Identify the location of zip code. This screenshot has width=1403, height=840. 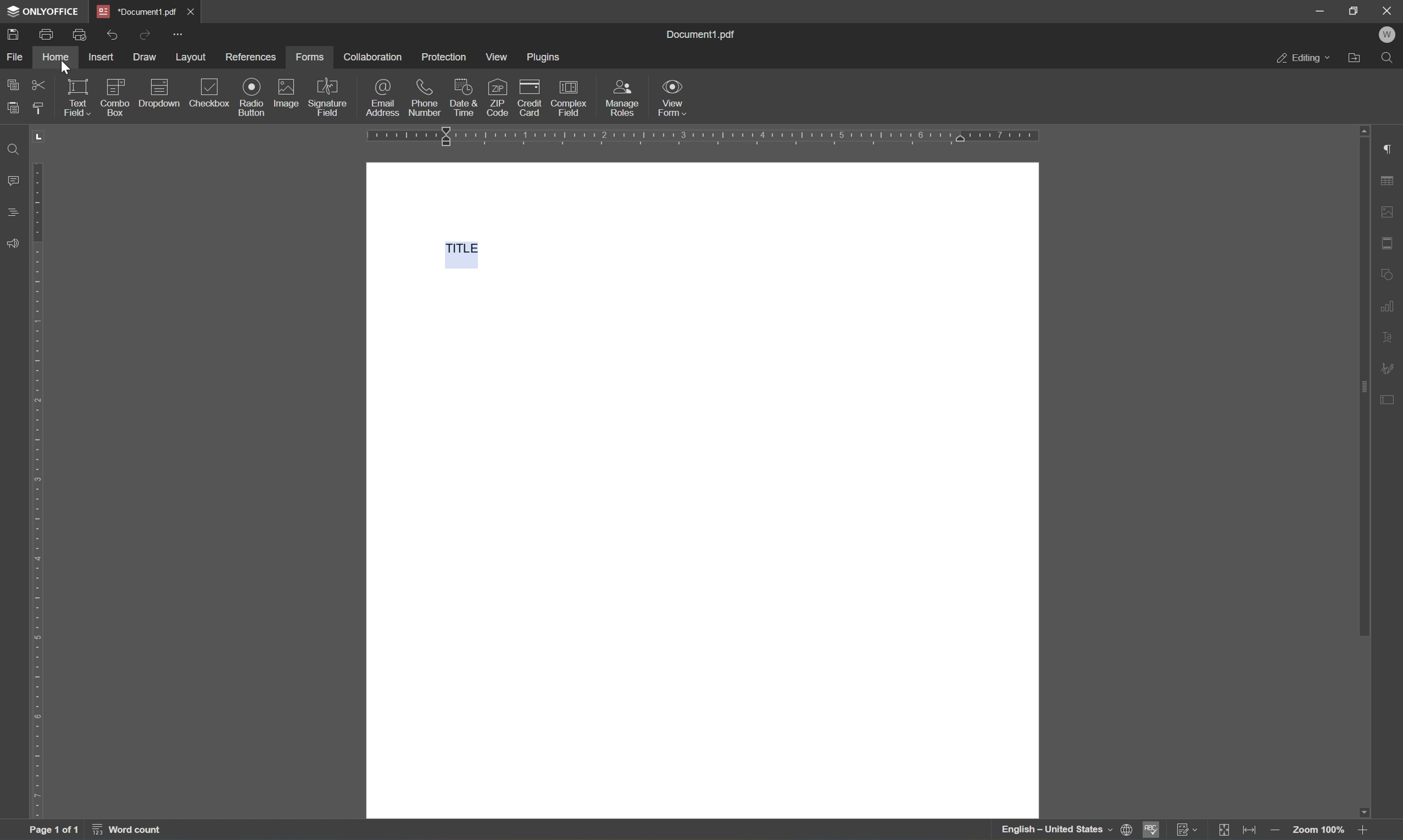
(497, 96).